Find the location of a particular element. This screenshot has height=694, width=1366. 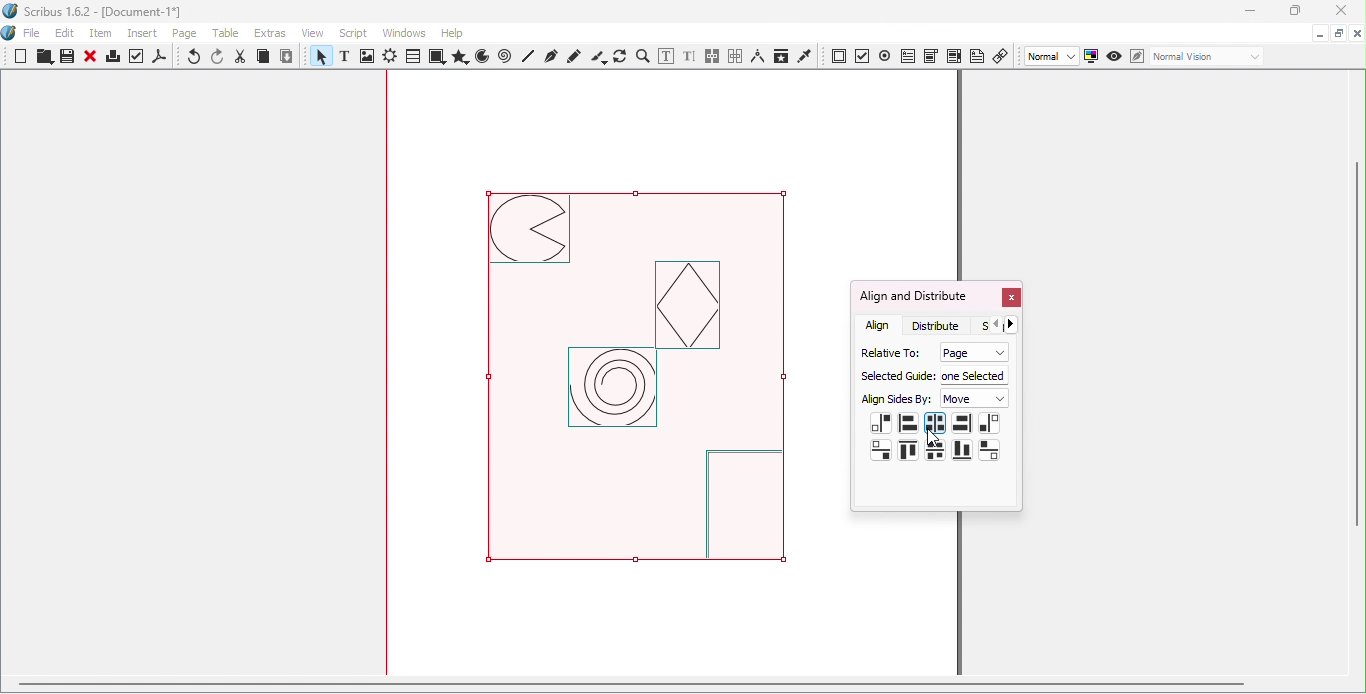

Close document is located at coordinates (1357, 34).